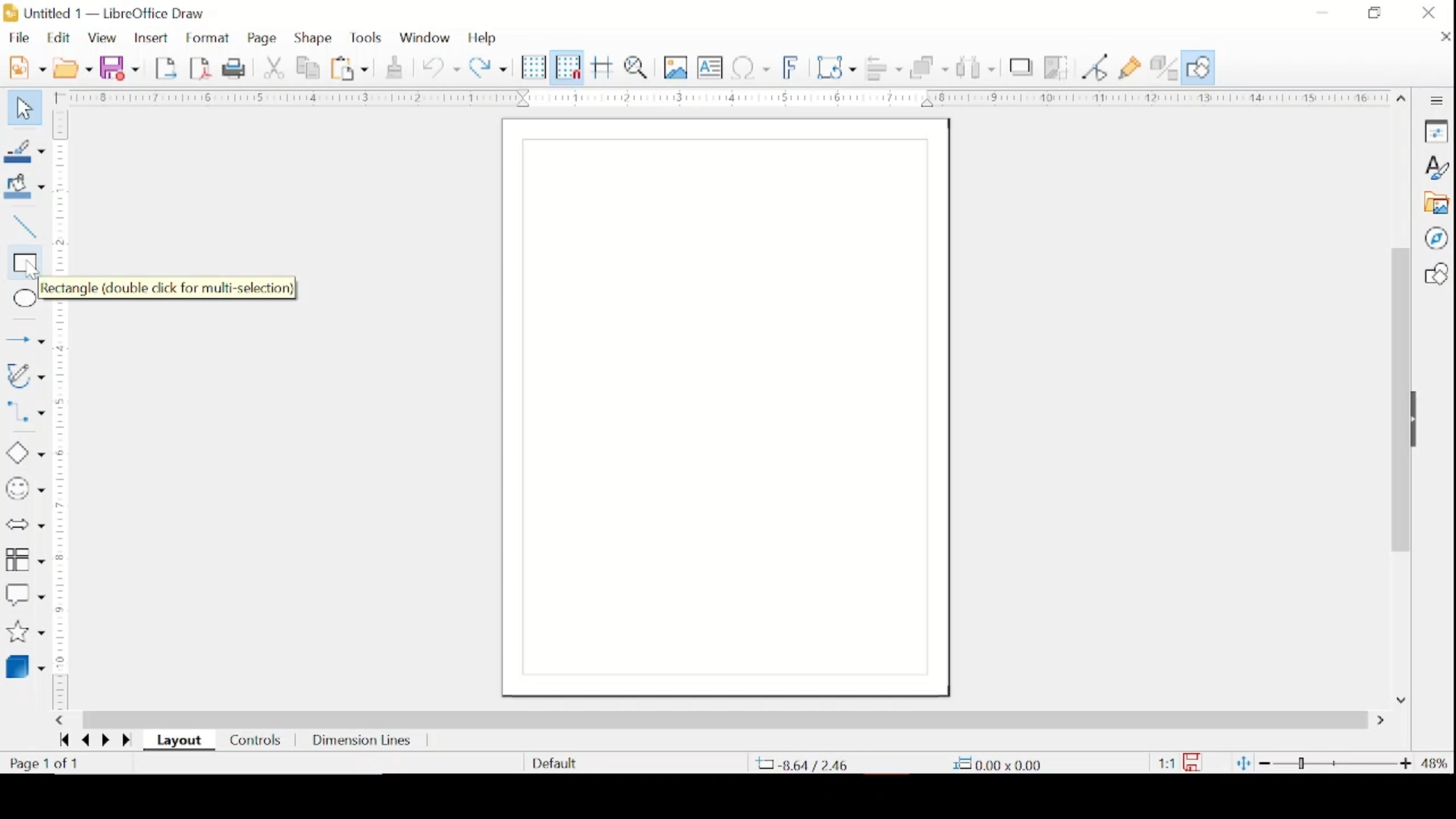 The height and width of the screenshot is (819, 1456). Describe the element at coordinates (1429, 13) in the screenshot. I see `close` at that location.